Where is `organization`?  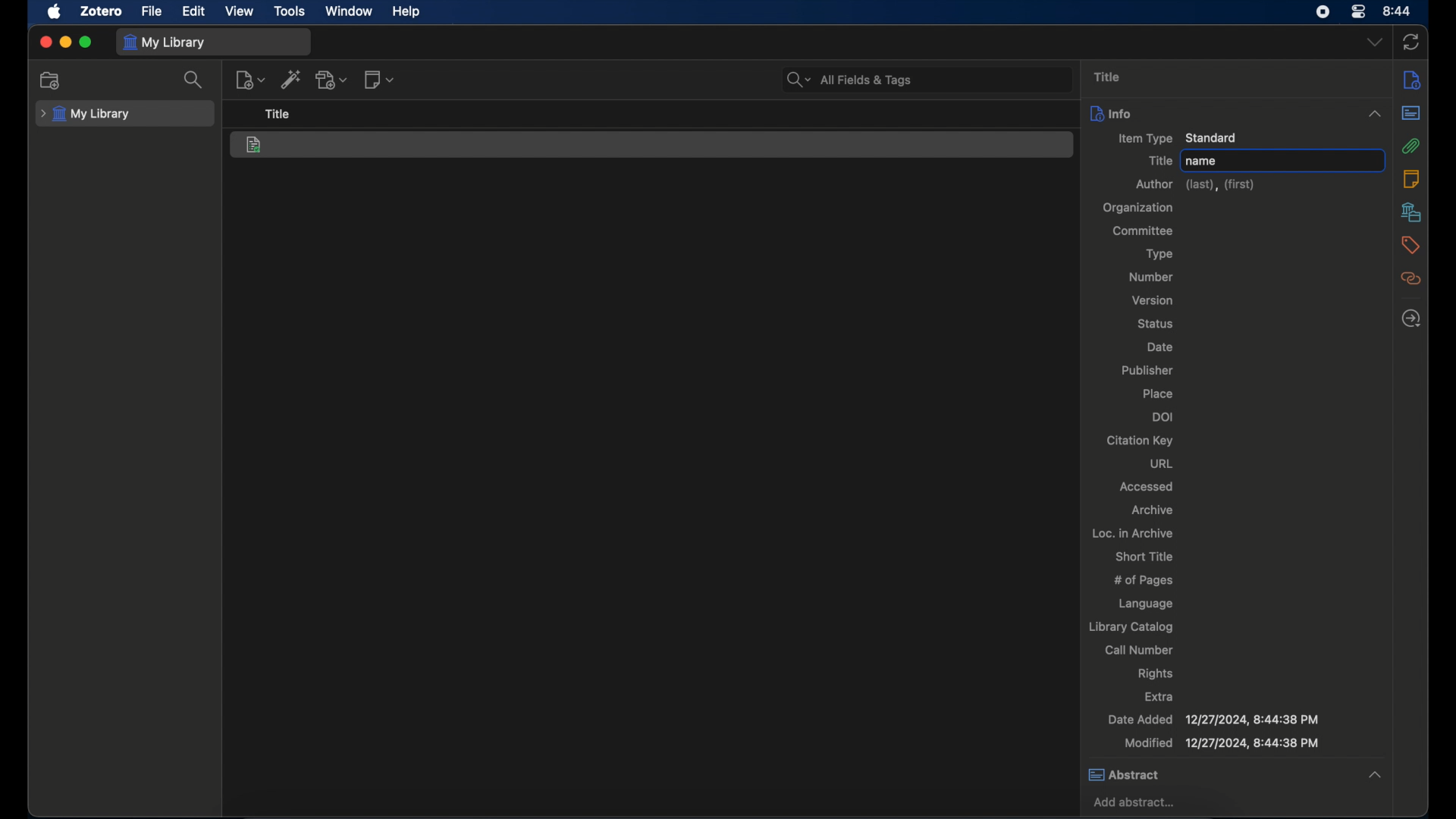 organization is located at coordinates (1137, 208).